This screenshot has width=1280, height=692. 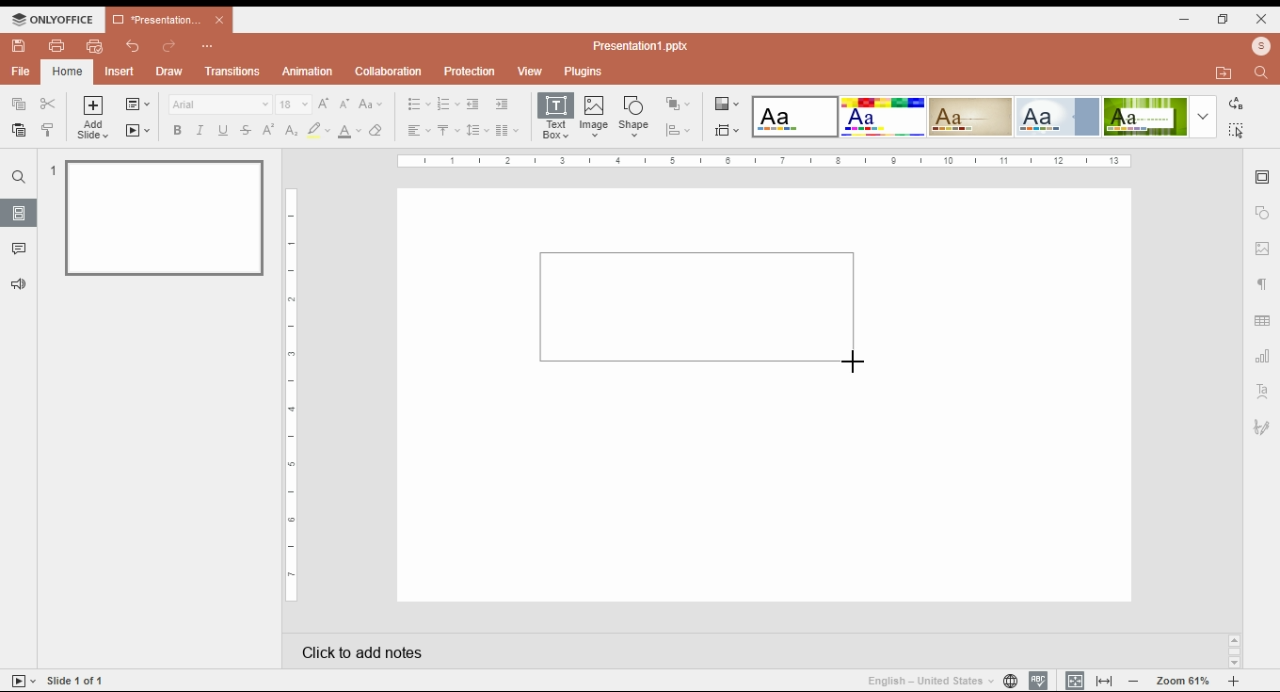 What do you see at coordinates (1262, 391) in the screenshot?
I see `text art settings` at bounding box center [1262, 391].